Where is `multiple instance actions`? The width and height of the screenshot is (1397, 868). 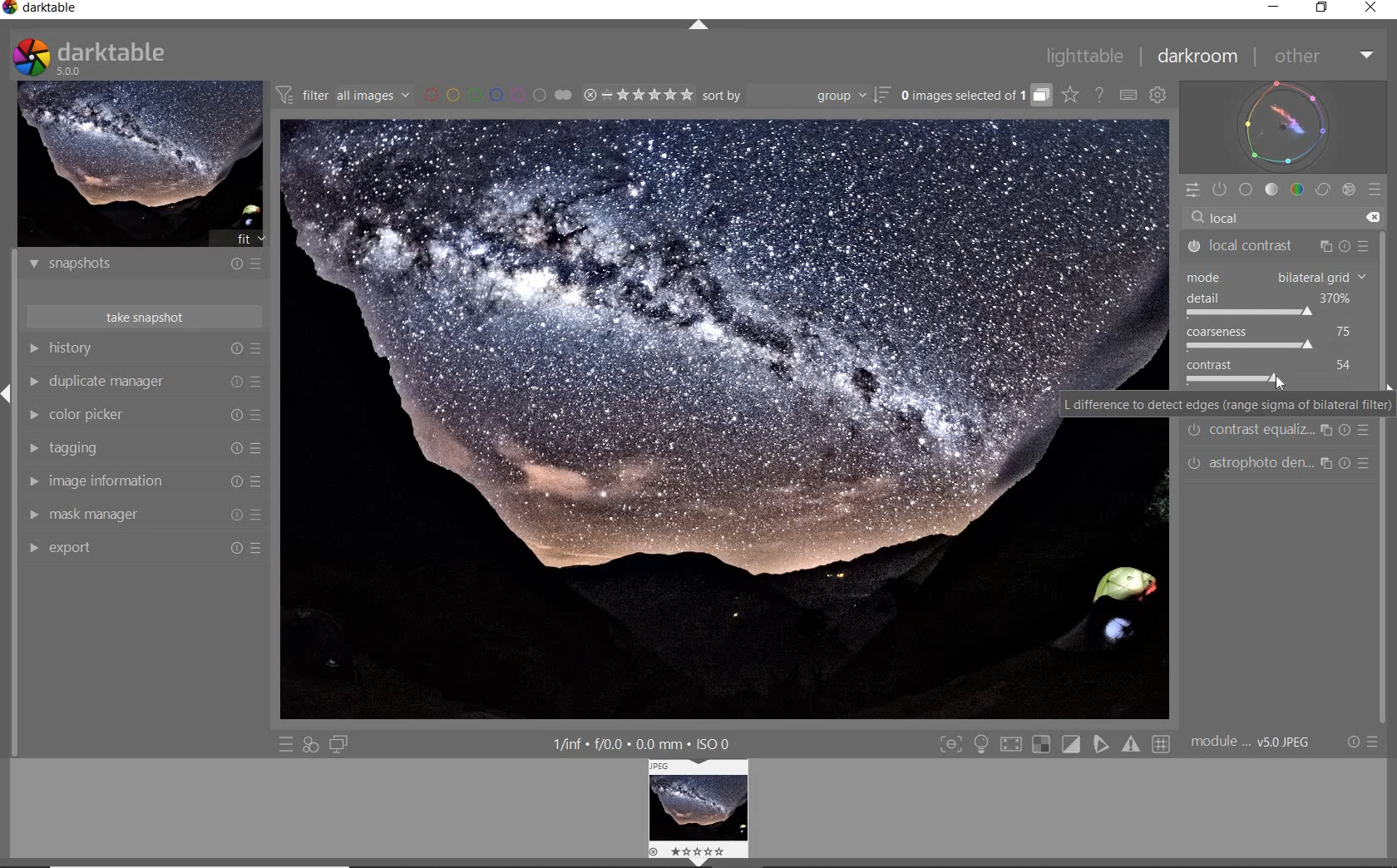 multiple instance actions is located at coordinates (1325, 243).